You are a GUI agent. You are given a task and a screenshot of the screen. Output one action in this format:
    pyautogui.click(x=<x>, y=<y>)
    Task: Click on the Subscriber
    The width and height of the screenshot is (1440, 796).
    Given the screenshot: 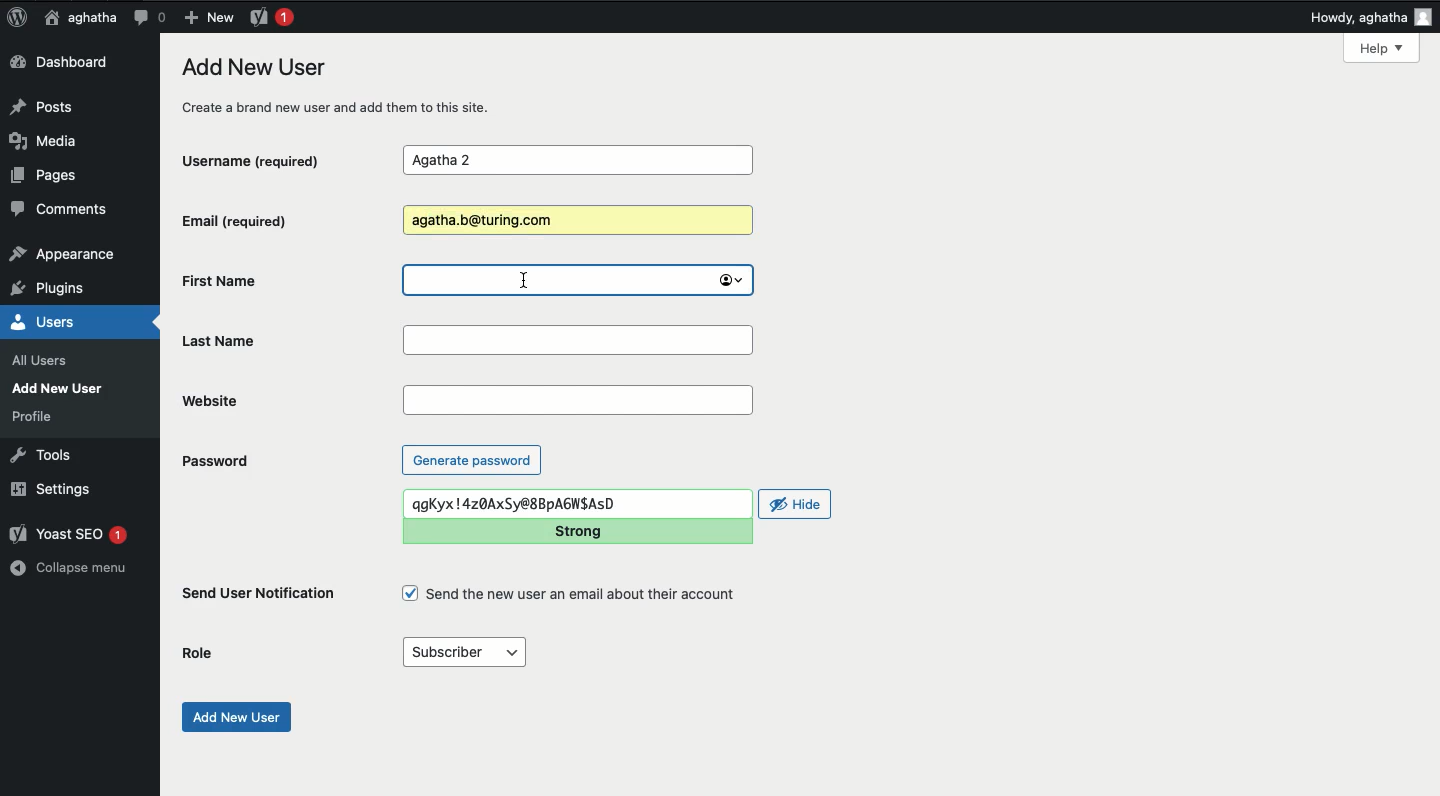 What is the action you would take?
    pyautogui.click(x=463, y=653)
    